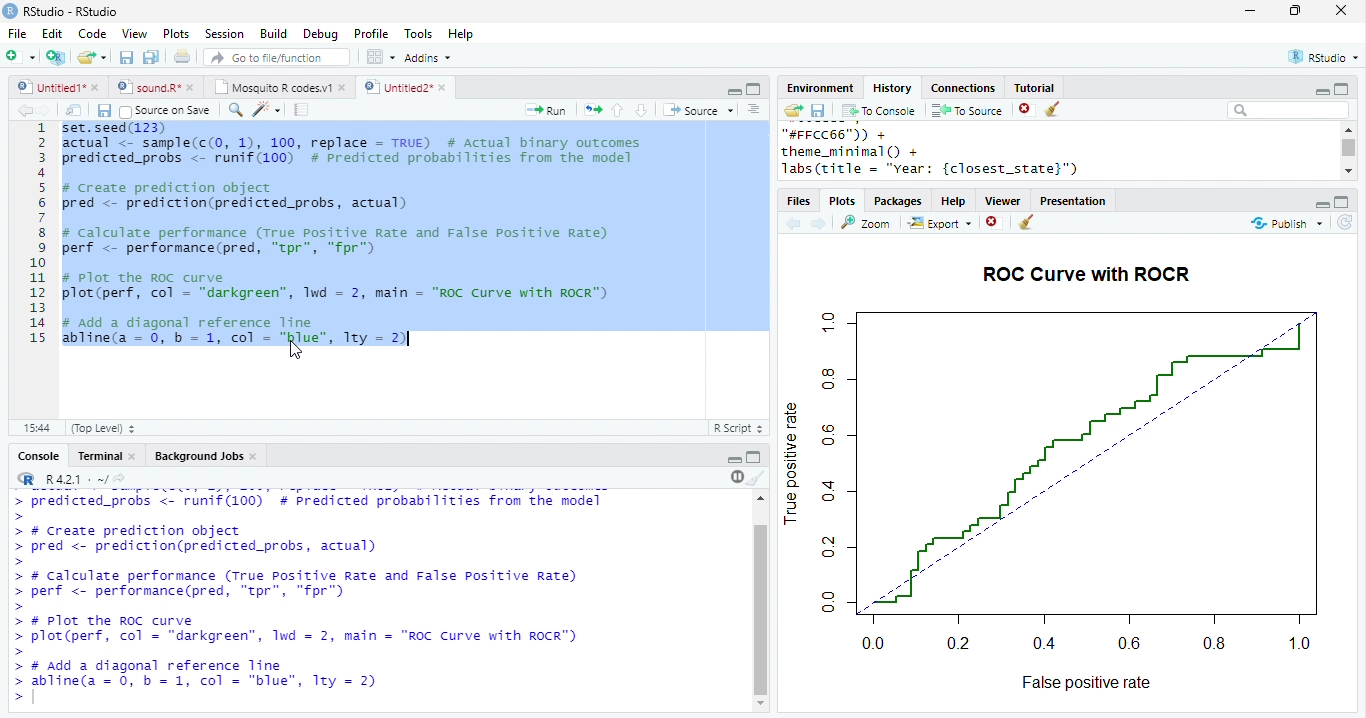 The image size is (1366, 718). I want to click on Help, so click(461, 35).